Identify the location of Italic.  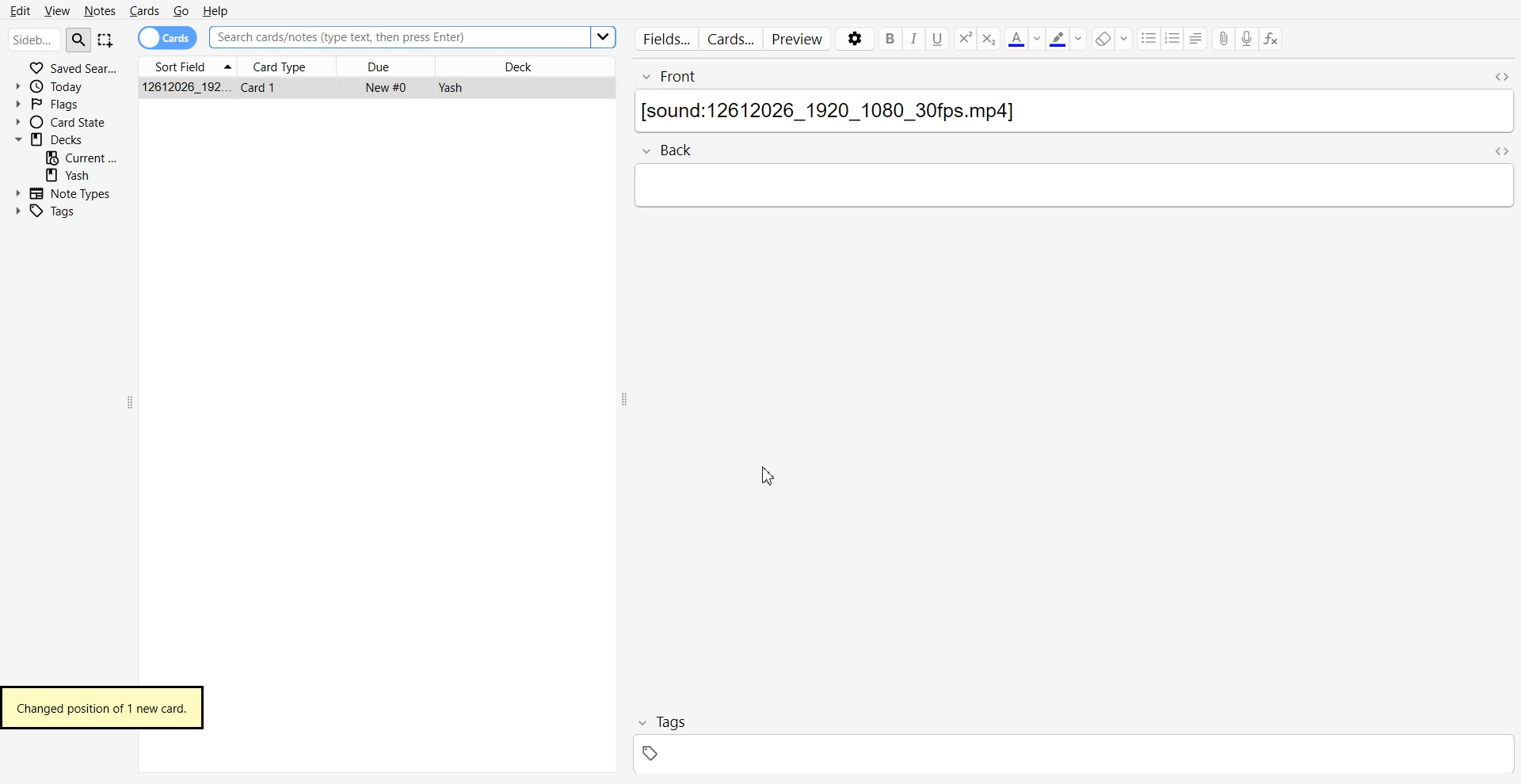
(914, 39).